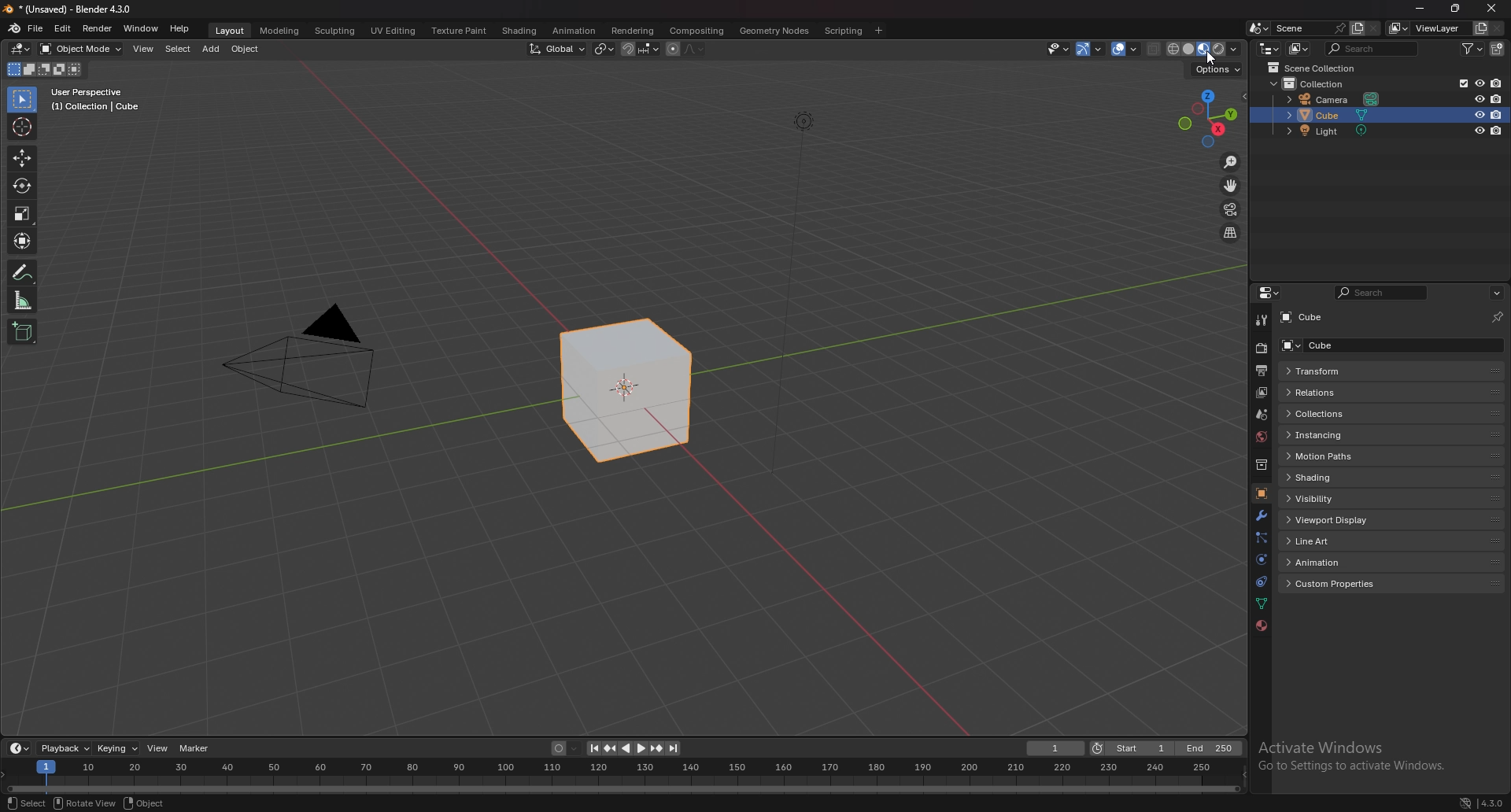 Image resolution: width=1511 pixels, height=812 pixels. What do you see at coordinates (460, 30) in the screenshot?
I see `texture paint` at bounding box center [460, 30].